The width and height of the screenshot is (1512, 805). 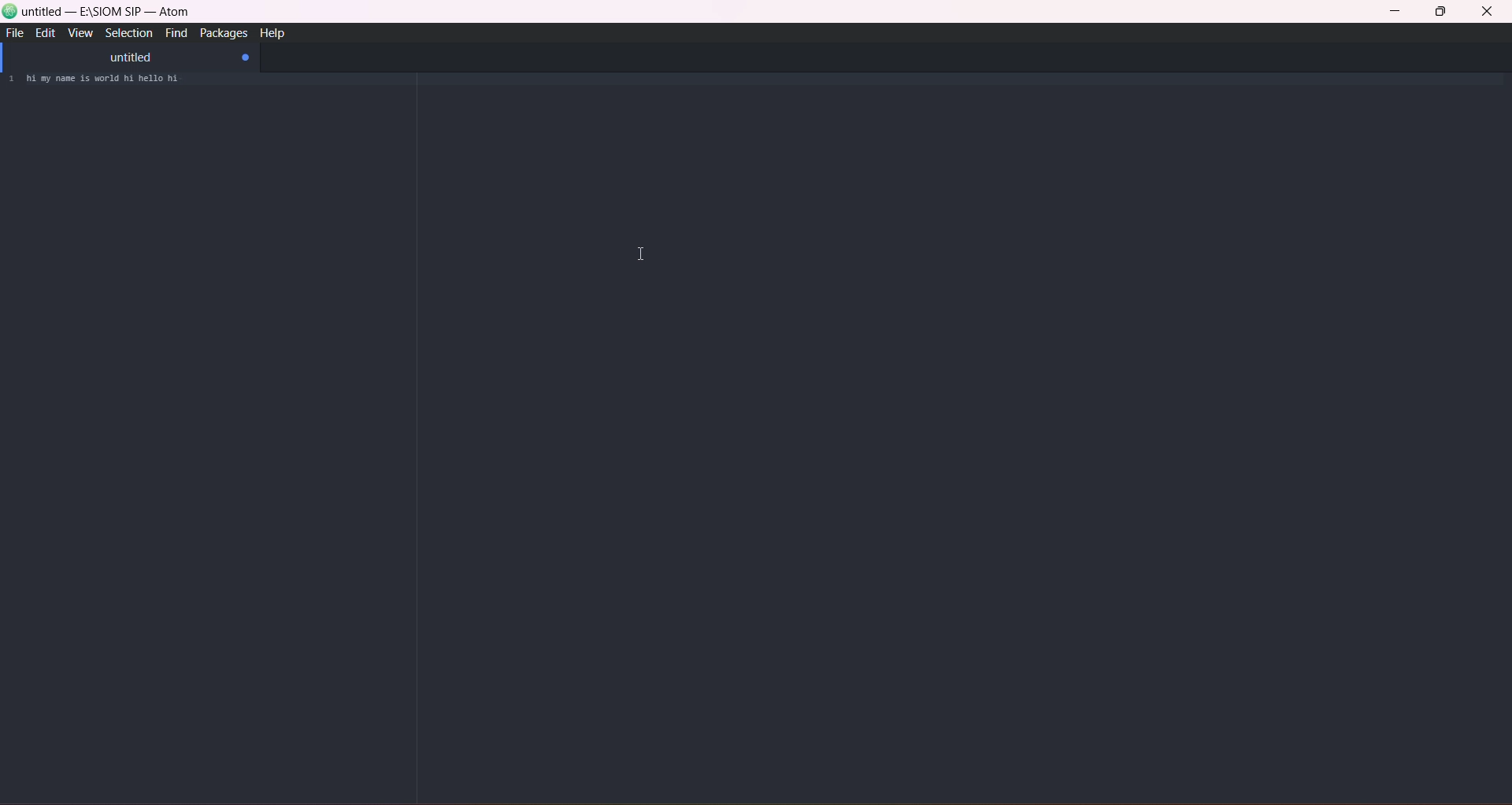 What do you see at coordinates (114, 81) in the screenshot?
I see `hi my name is world hi hello hi` at bounding box center [114, 81].